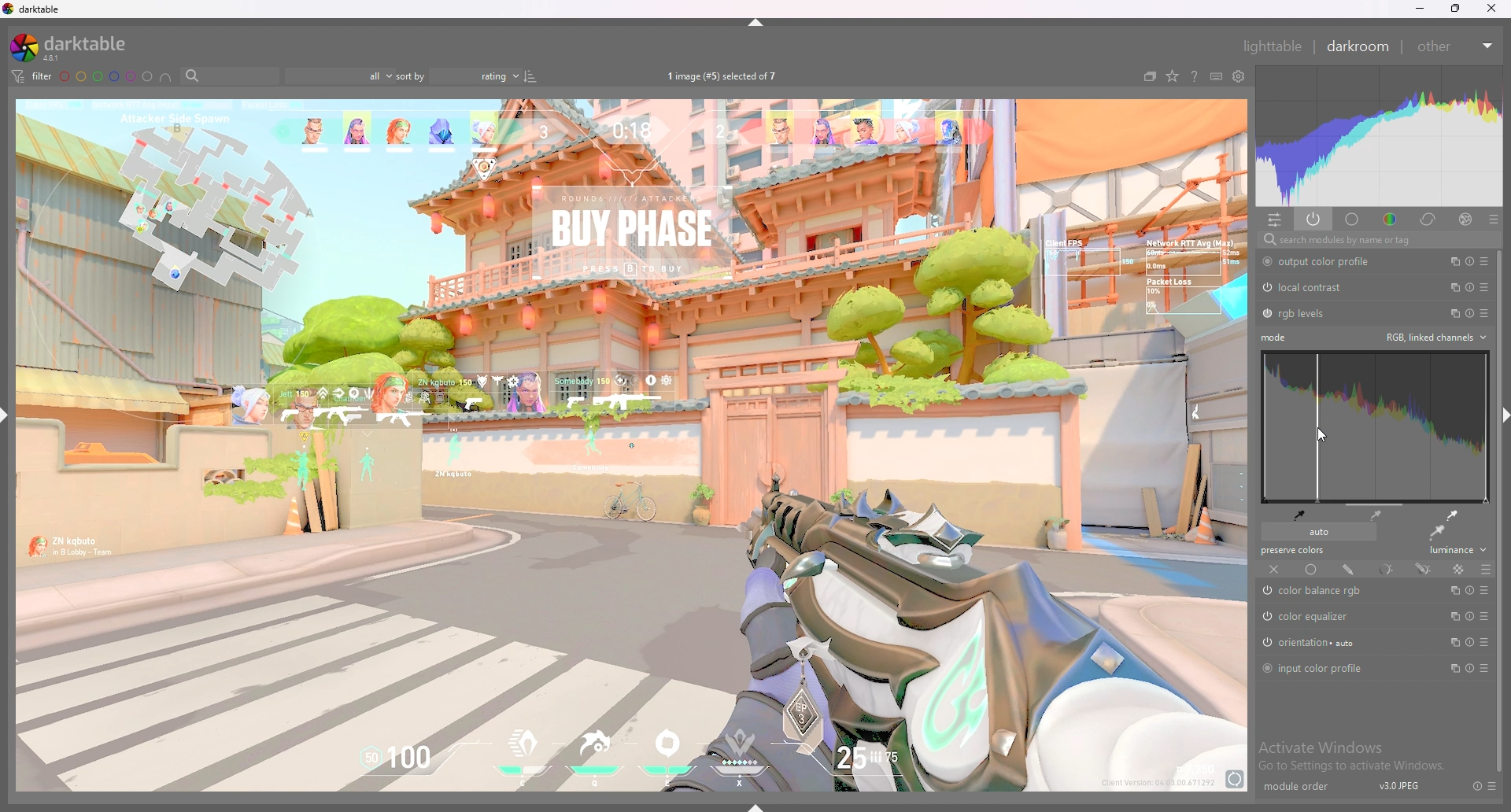 This screenshot has width=1511, height=812. What do you see at coordinates (9, 414) in the screenshot?
I see `hide` at bounding box center [9, 414].